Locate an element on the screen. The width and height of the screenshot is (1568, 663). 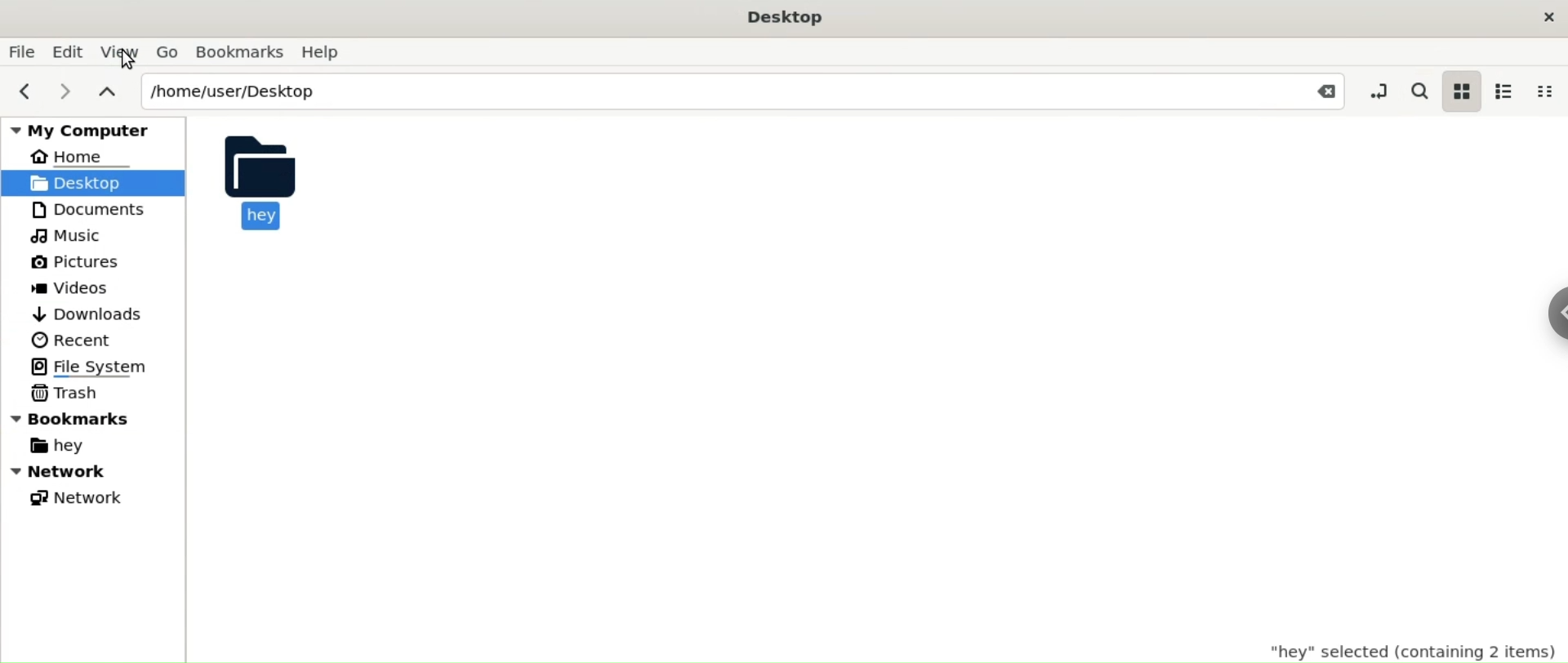
Go is located at coordinates (170, 52).